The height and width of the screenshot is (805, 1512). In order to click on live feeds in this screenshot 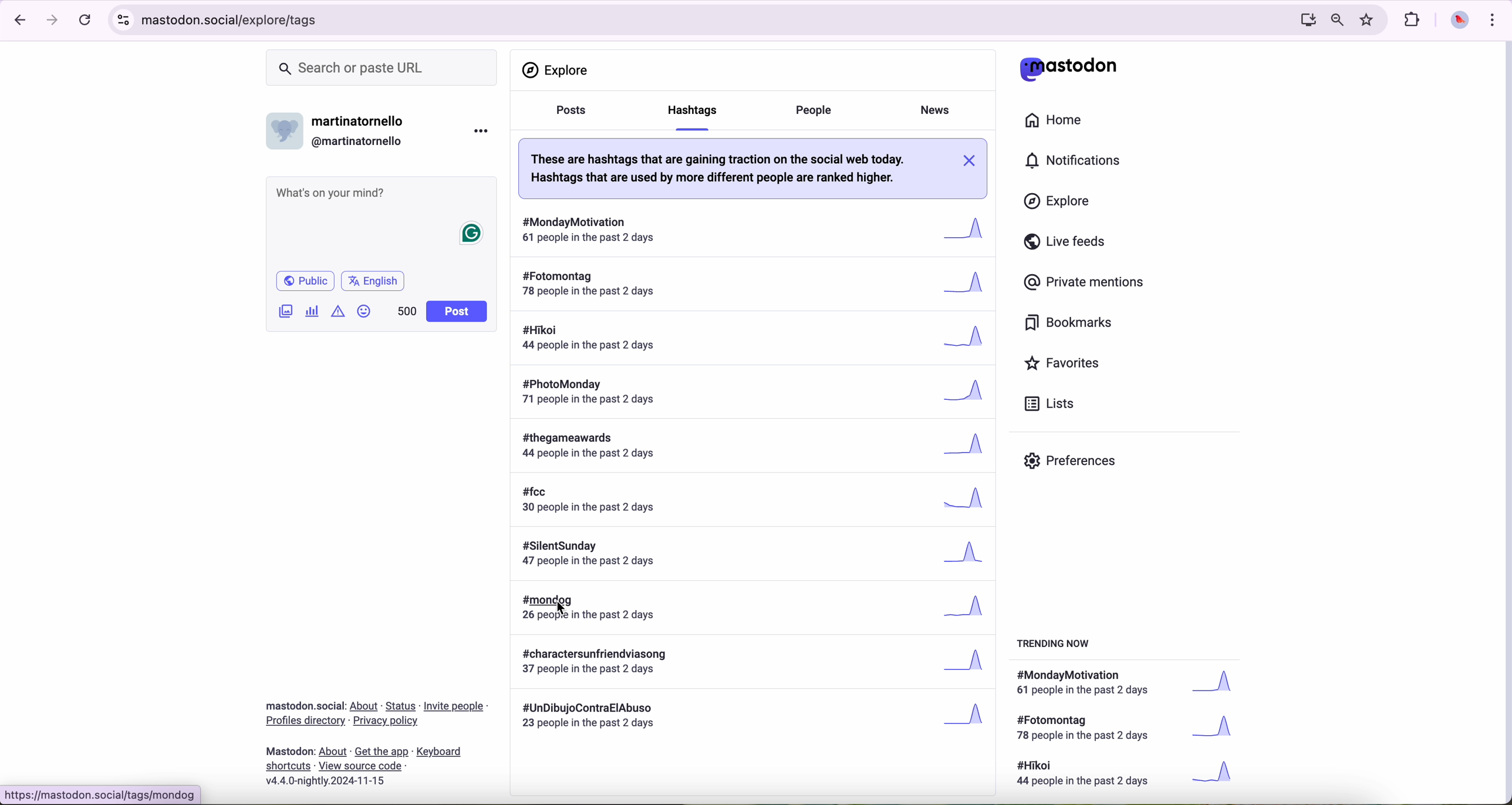, I will do `click(1067, 242)`.